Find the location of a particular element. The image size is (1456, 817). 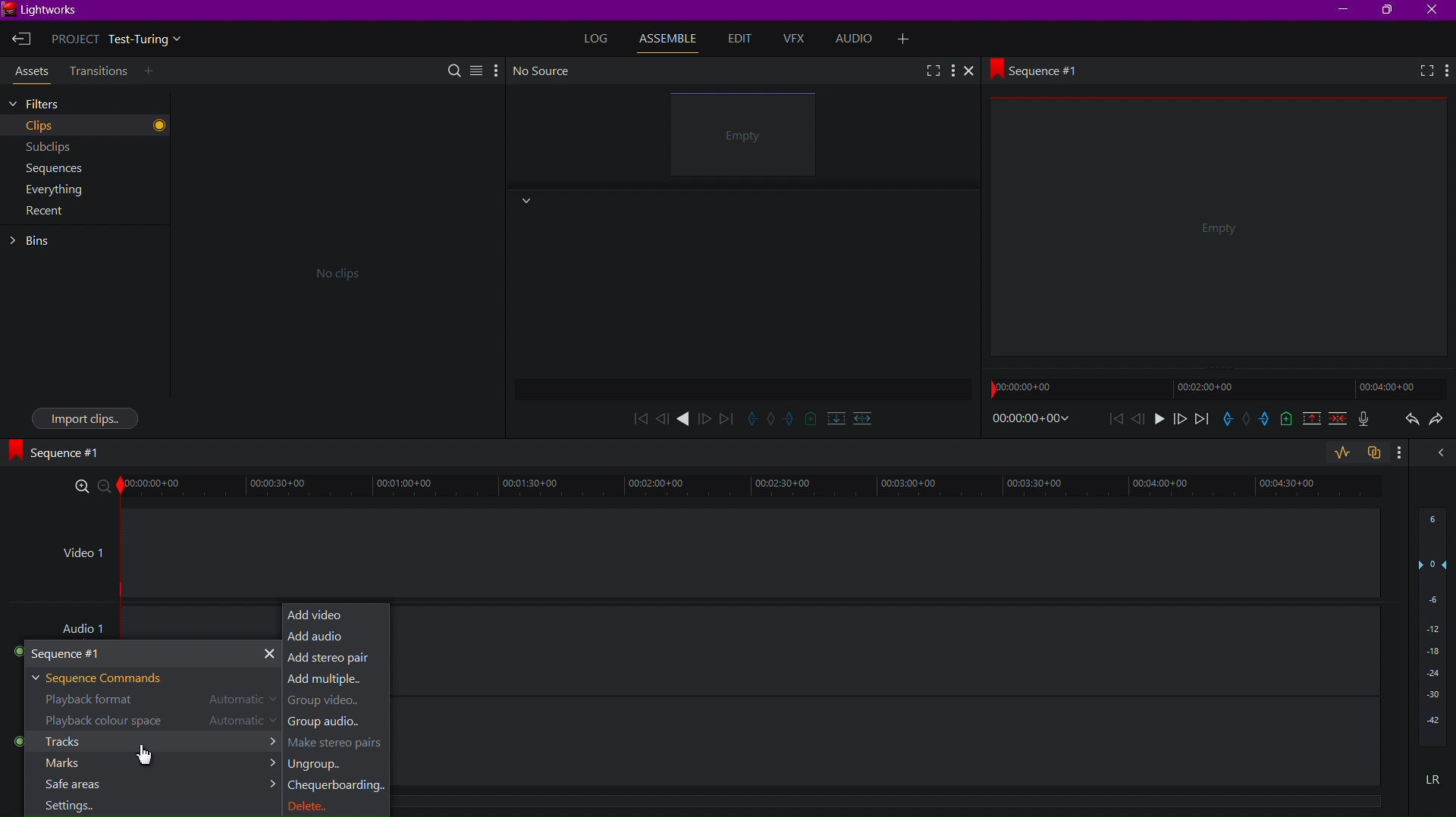

horizontal break is located at coordinates (859, 417).